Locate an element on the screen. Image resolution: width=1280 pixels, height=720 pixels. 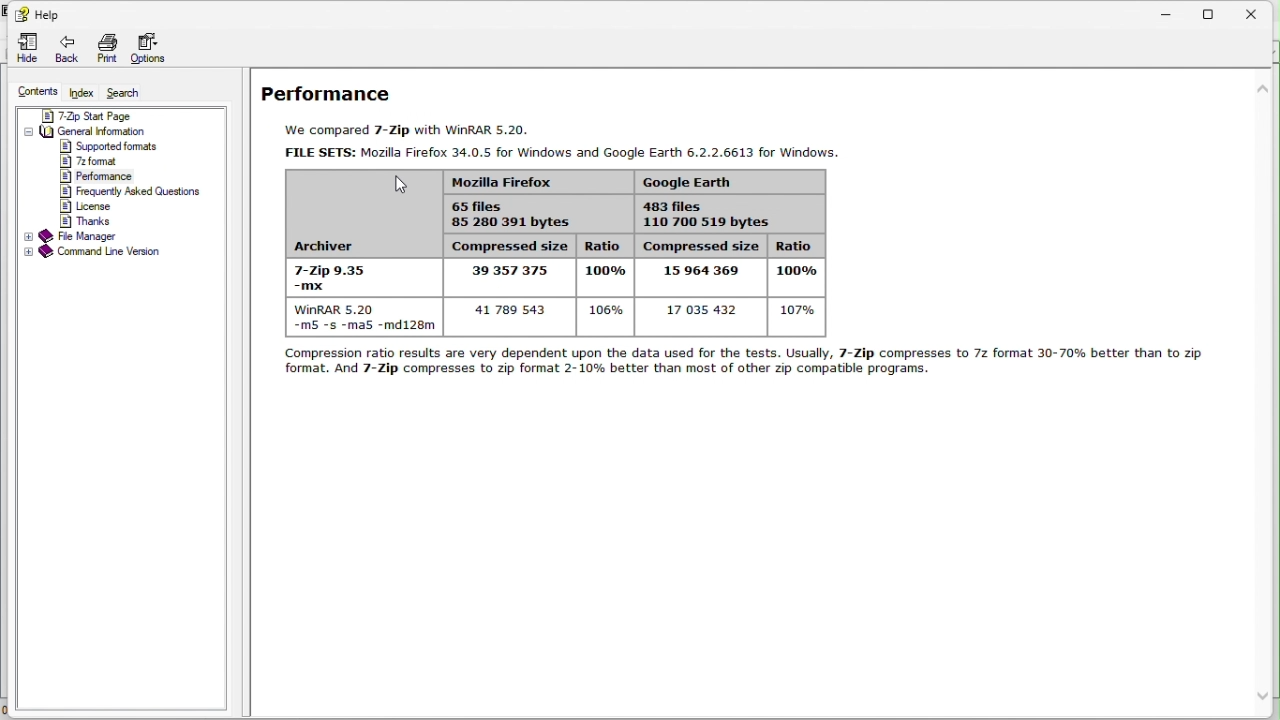
7 zip format is located at coordinates (90, 161).